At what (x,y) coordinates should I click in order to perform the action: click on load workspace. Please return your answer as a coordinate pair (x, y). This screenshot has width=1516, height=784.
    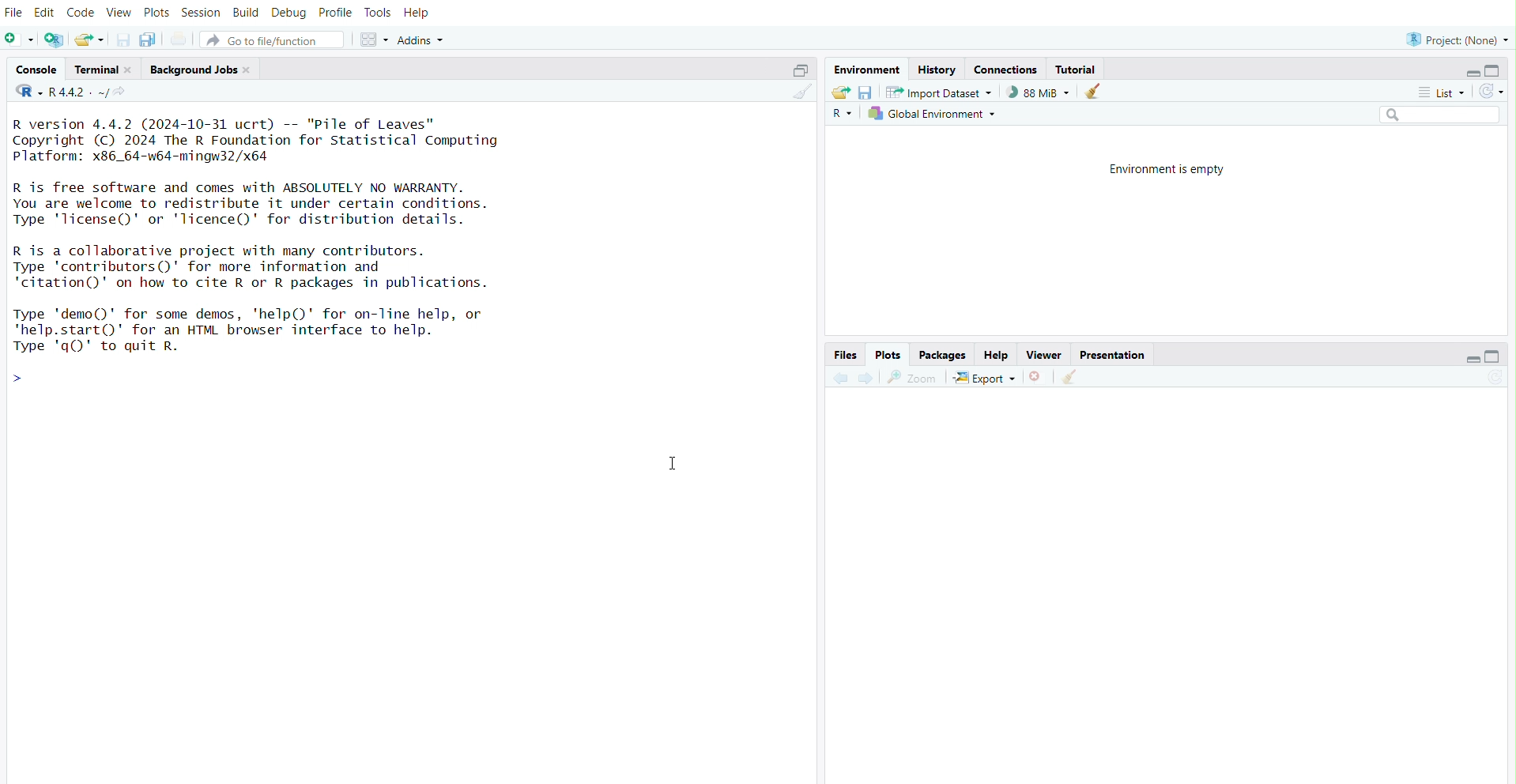
    Looking at the image, I should click on (839, 92).